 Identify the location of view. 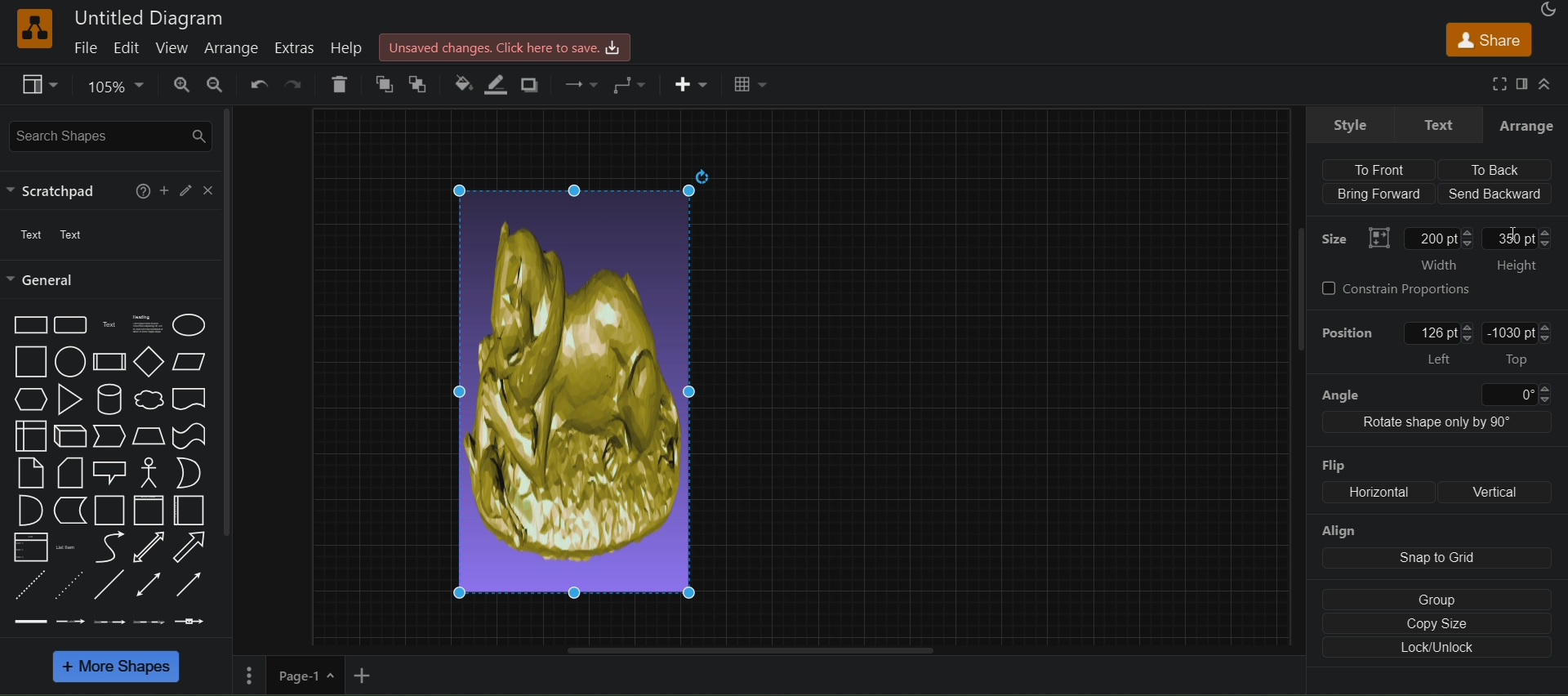
(169, 49).